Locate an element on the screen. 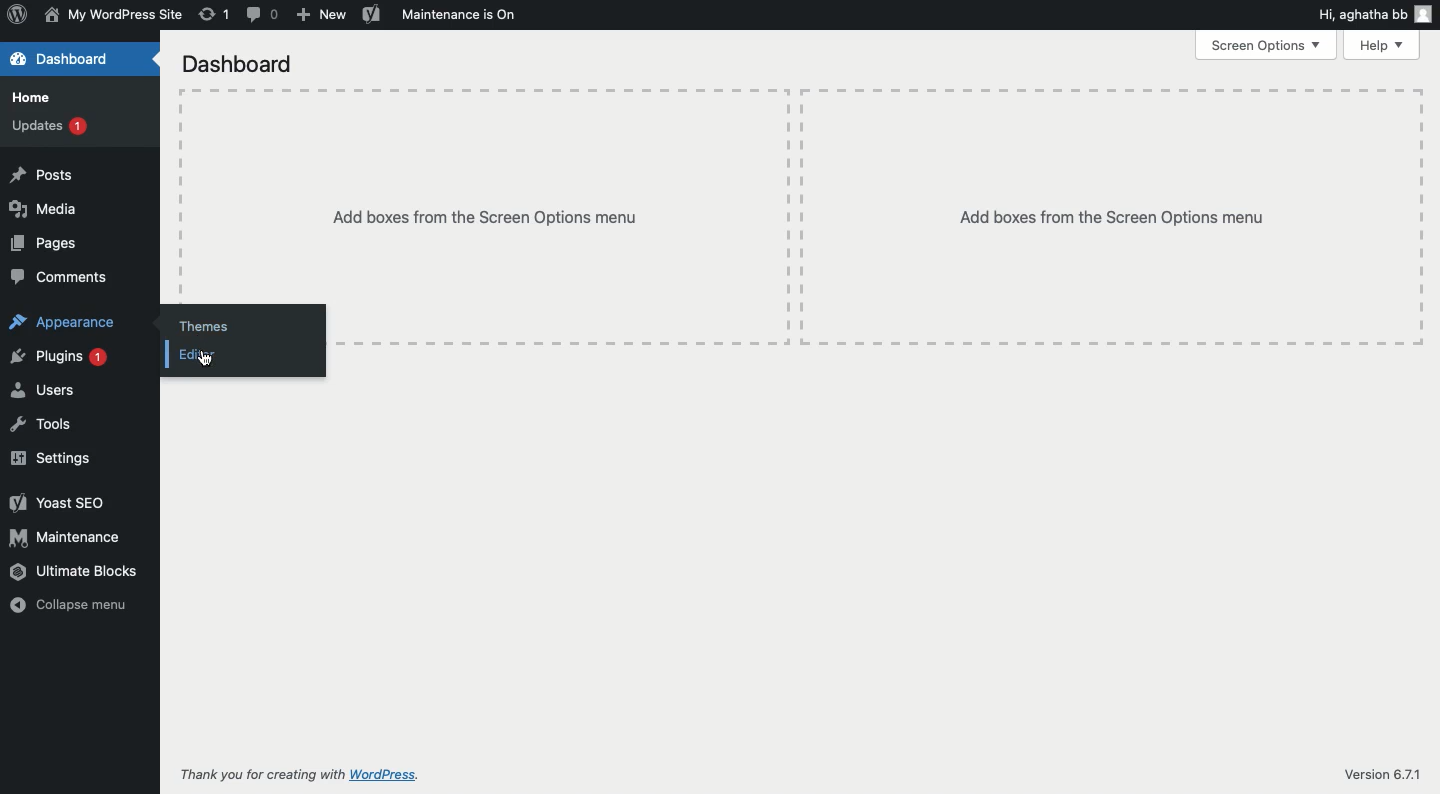 The image size is (1440, 794). Plugins is located at coordinates (57, 357).